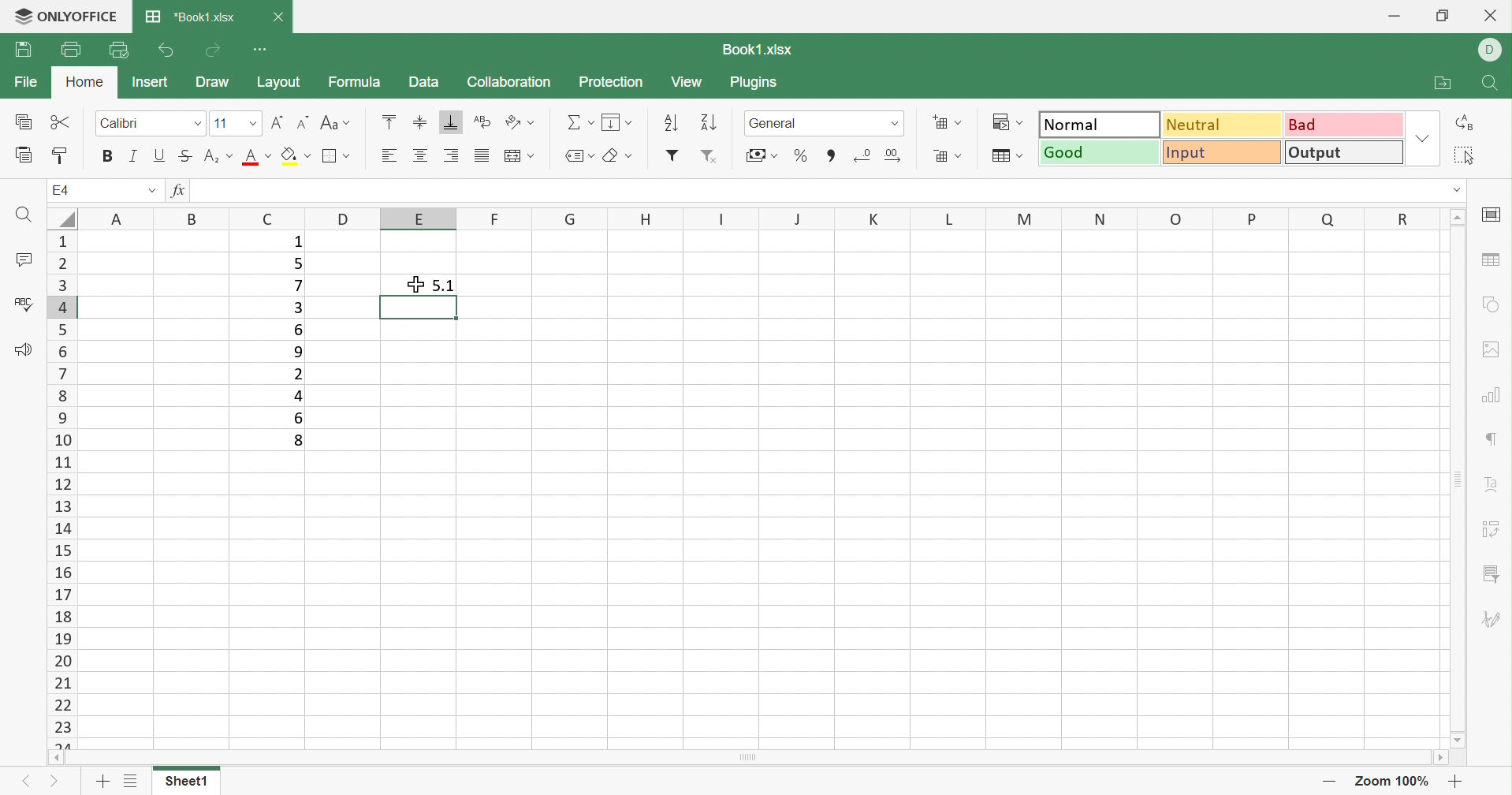 The width and height of the screenshot is (1512, 795). Describe the element at coordinates (414, 286) in the screenshot. I see `Cursor` at that location.